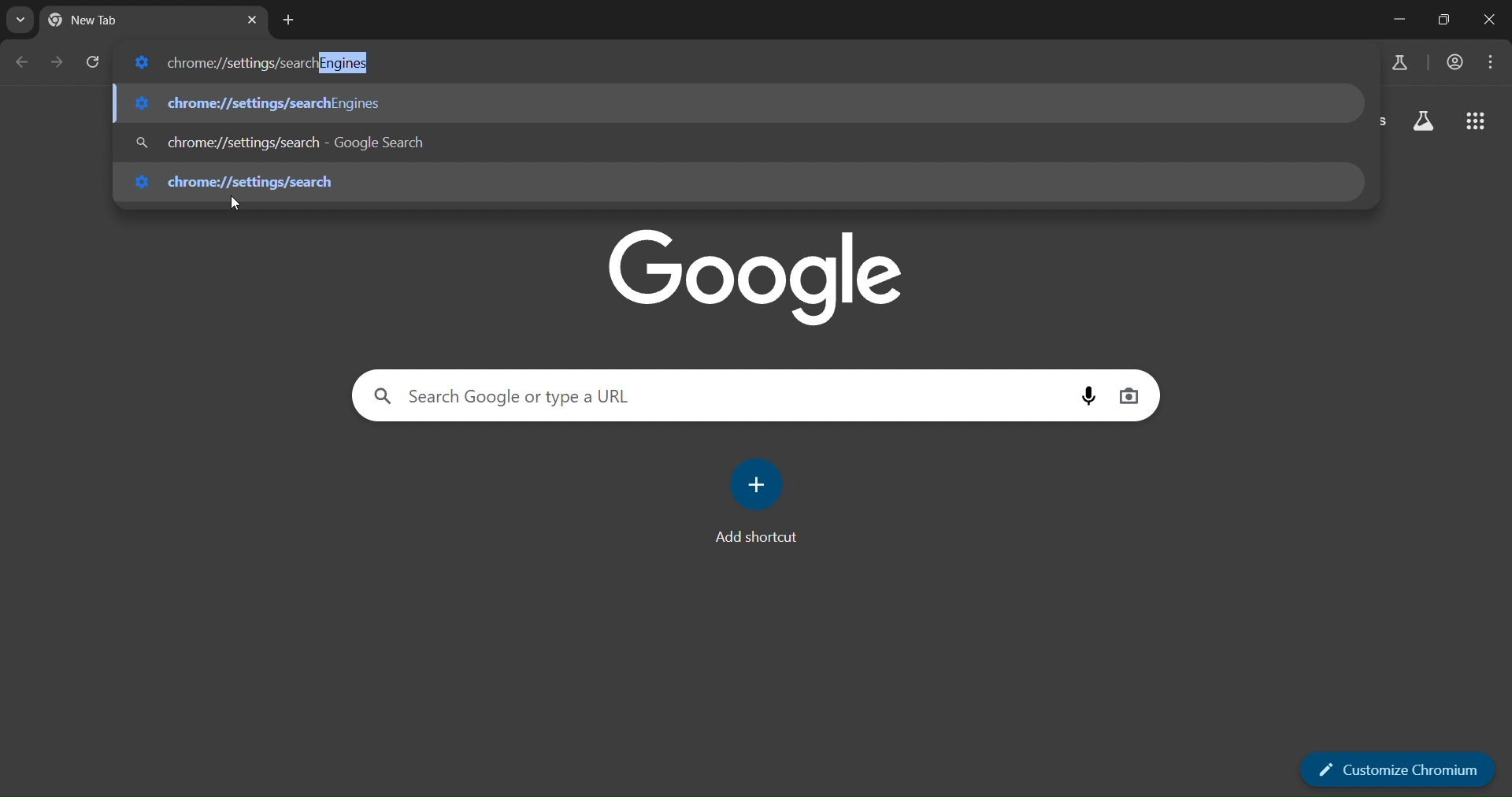  What do you see at coordinates (128, 20) in the screenshot?
I see `currenttab` at bounding box center [128, 20].